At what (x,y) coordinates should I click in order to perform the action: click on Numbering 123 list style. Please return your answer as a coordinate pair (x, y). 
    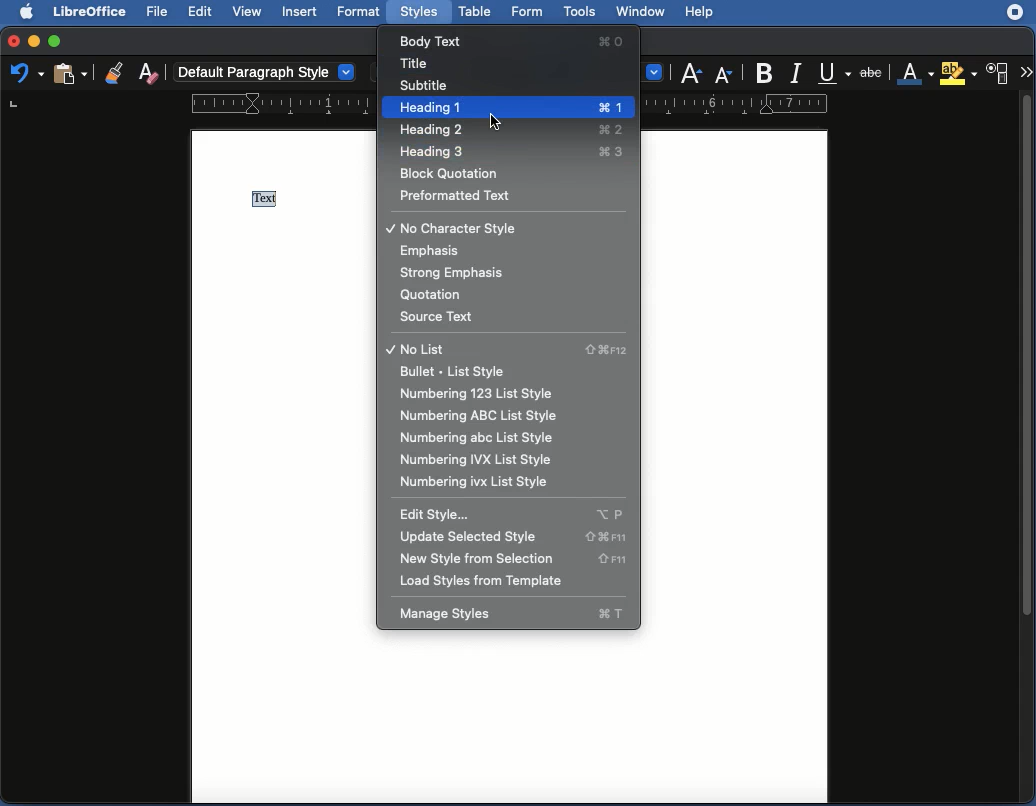
    Looking at the image, I should click on (493, 393).